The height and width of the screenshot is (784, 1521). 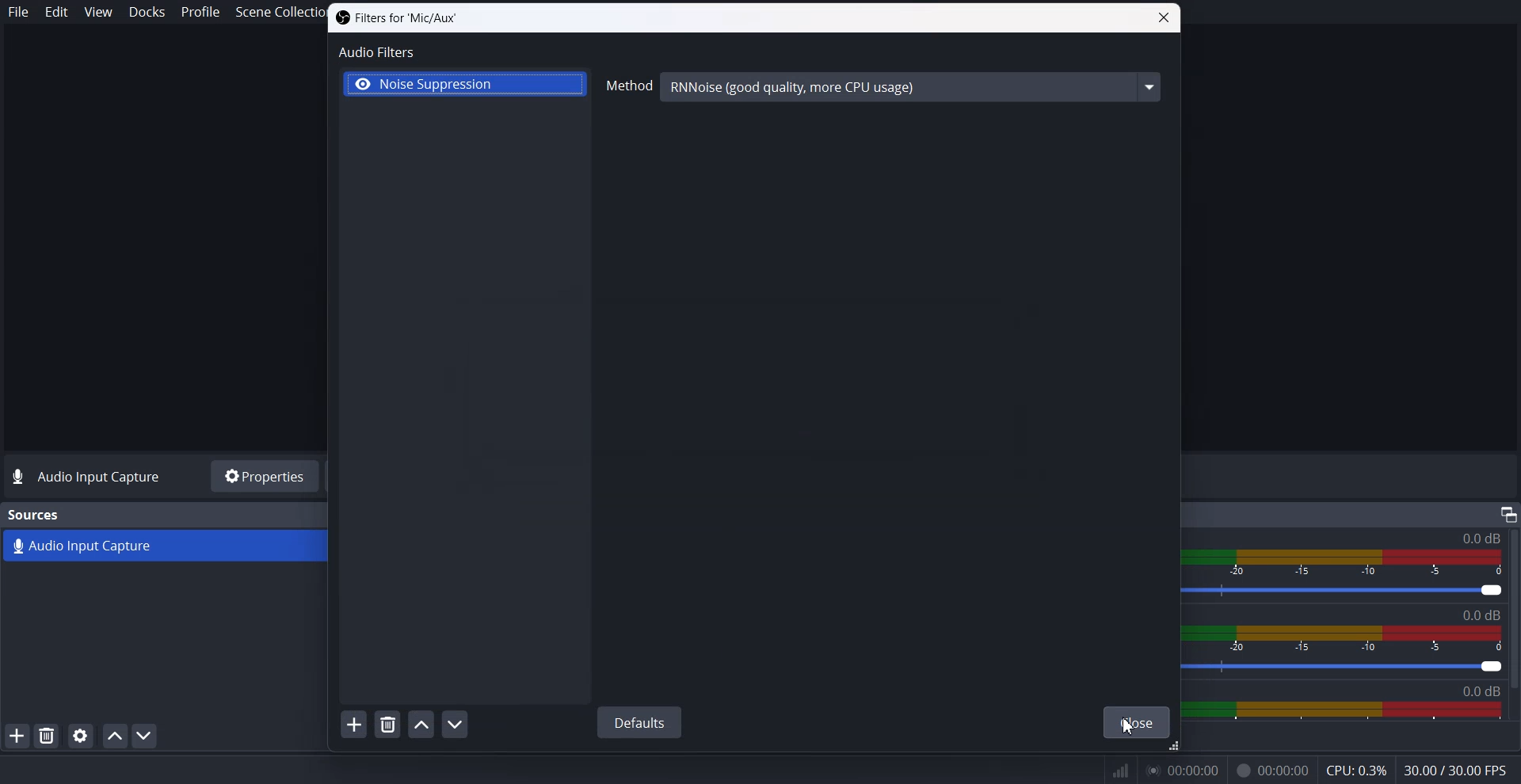 I want to click on Noise Suppression, so click(x=464, y=85).